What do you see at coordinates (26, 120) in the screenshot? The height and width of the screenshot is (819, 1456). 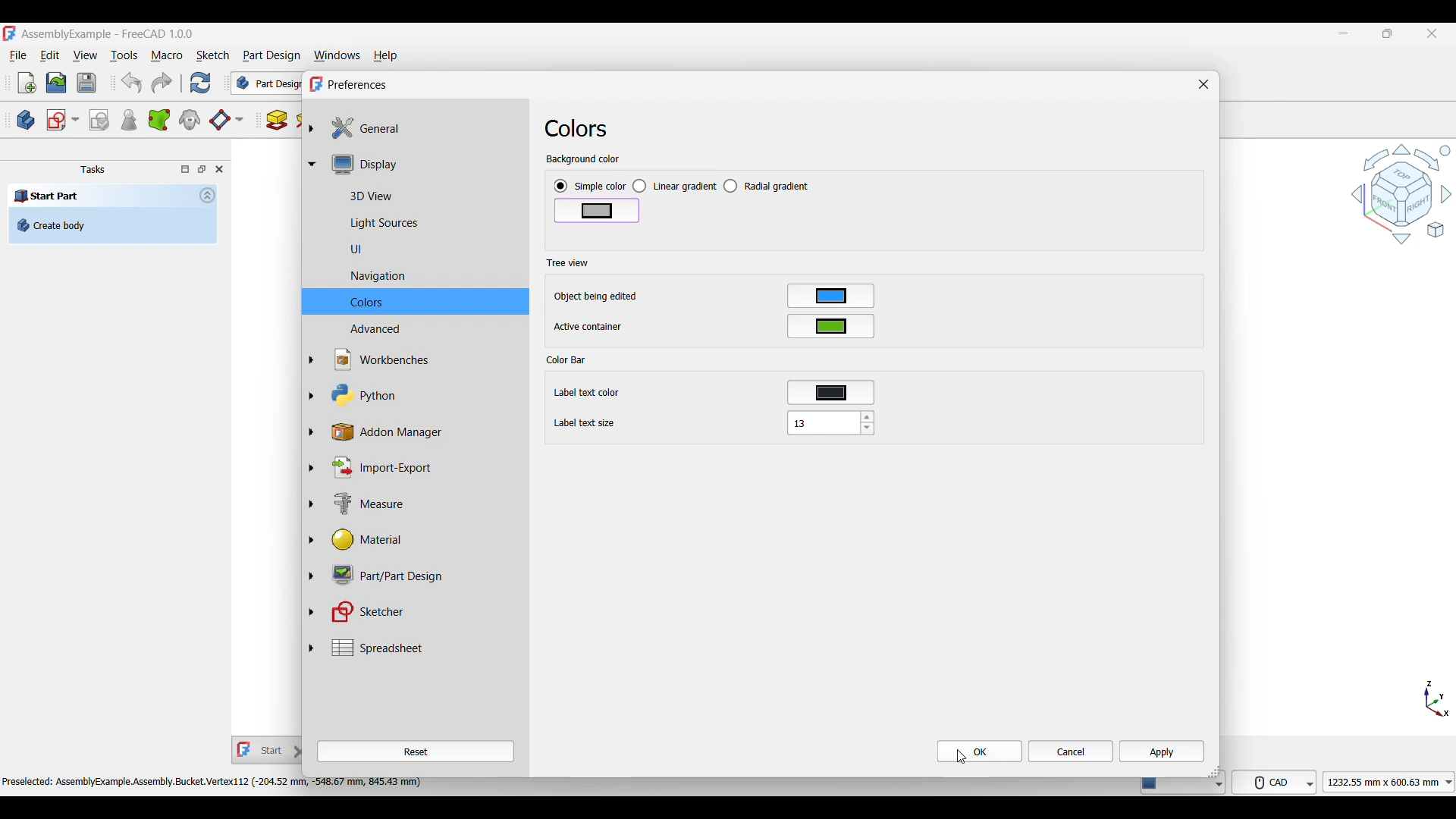 I see `Create body` at bounding box center [26, 120].